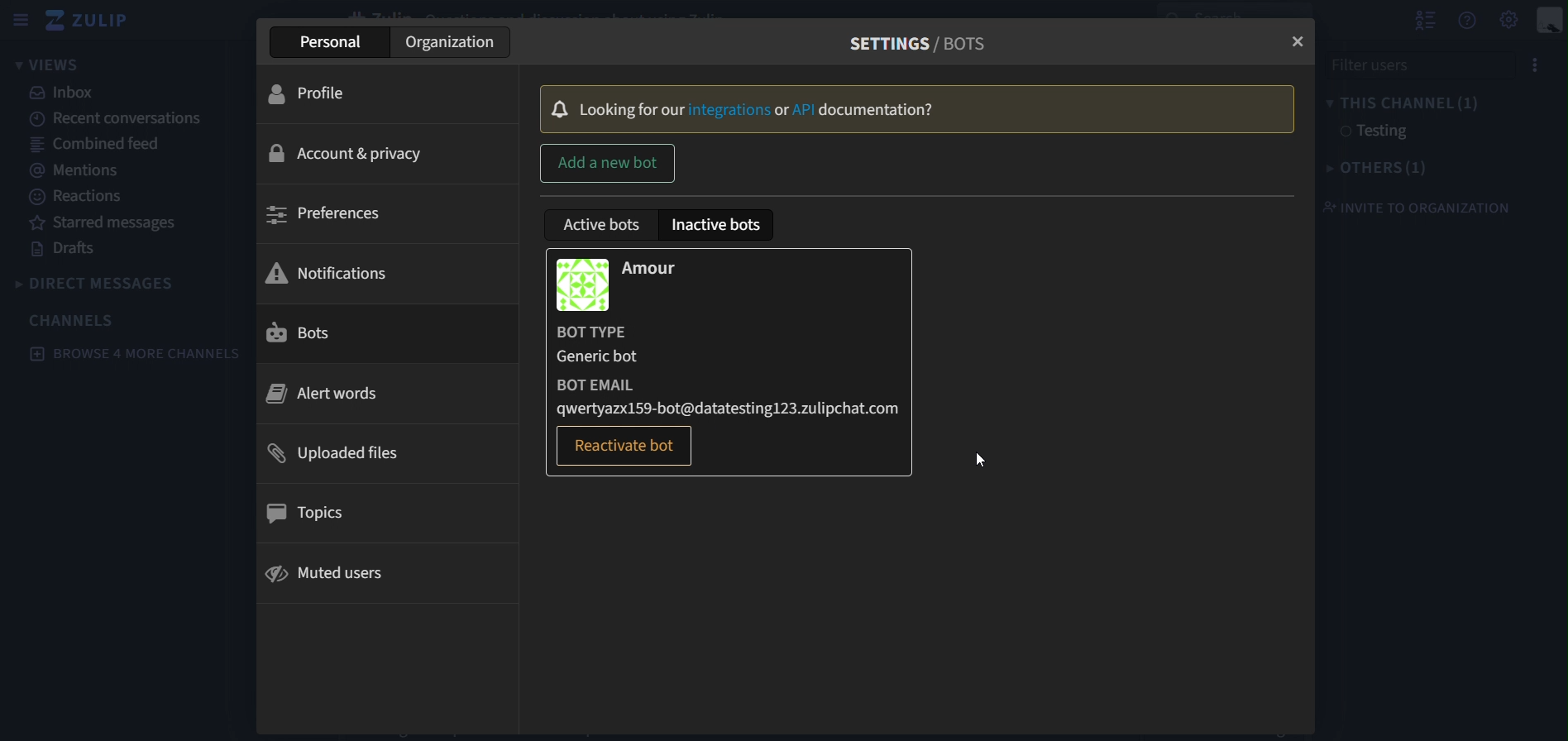  What do you see at coordinates (608, 164) in the screenshot?
I see `add a new bot` at bounding box center [608, 164].